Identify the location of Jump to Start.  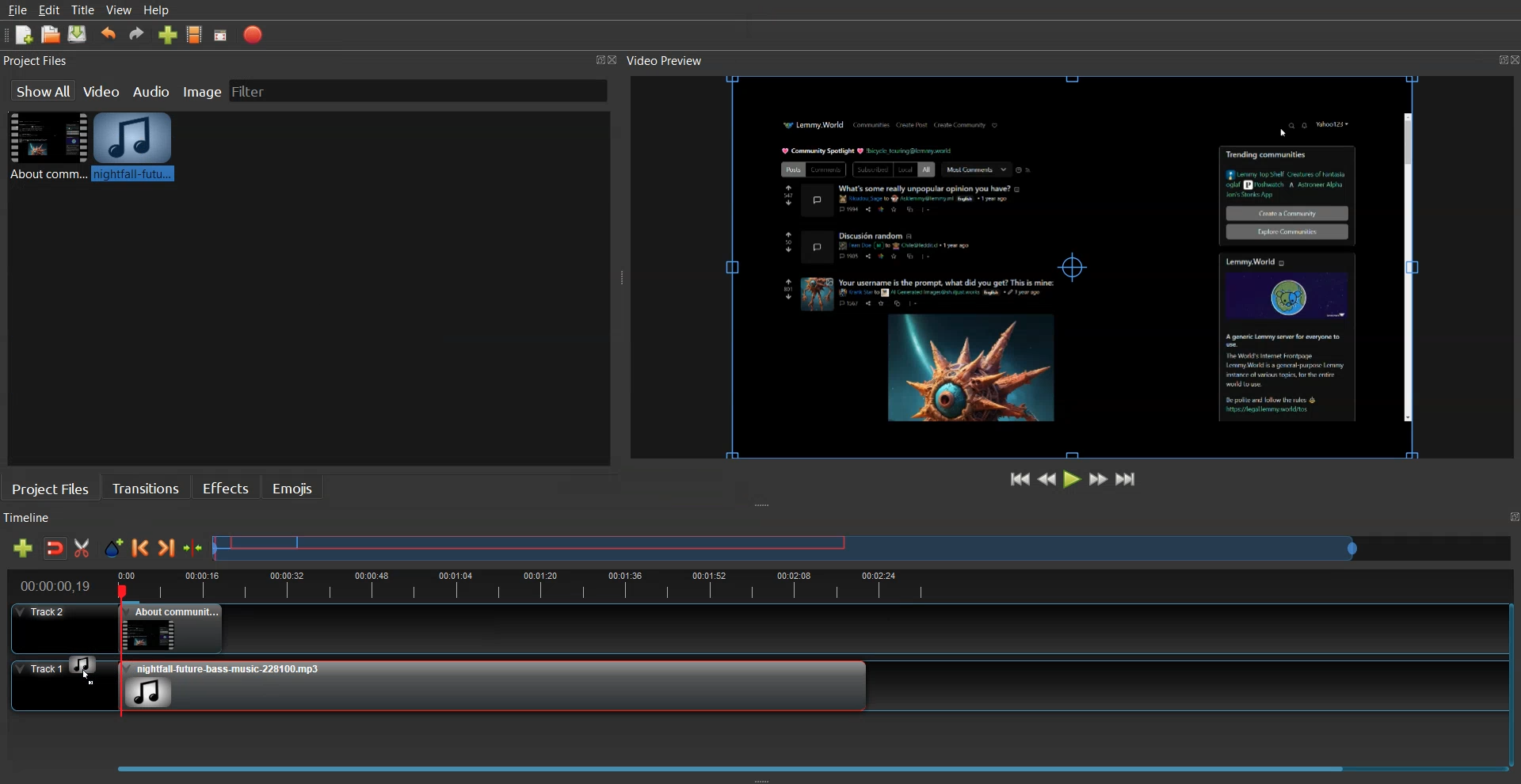
(1021, 479).